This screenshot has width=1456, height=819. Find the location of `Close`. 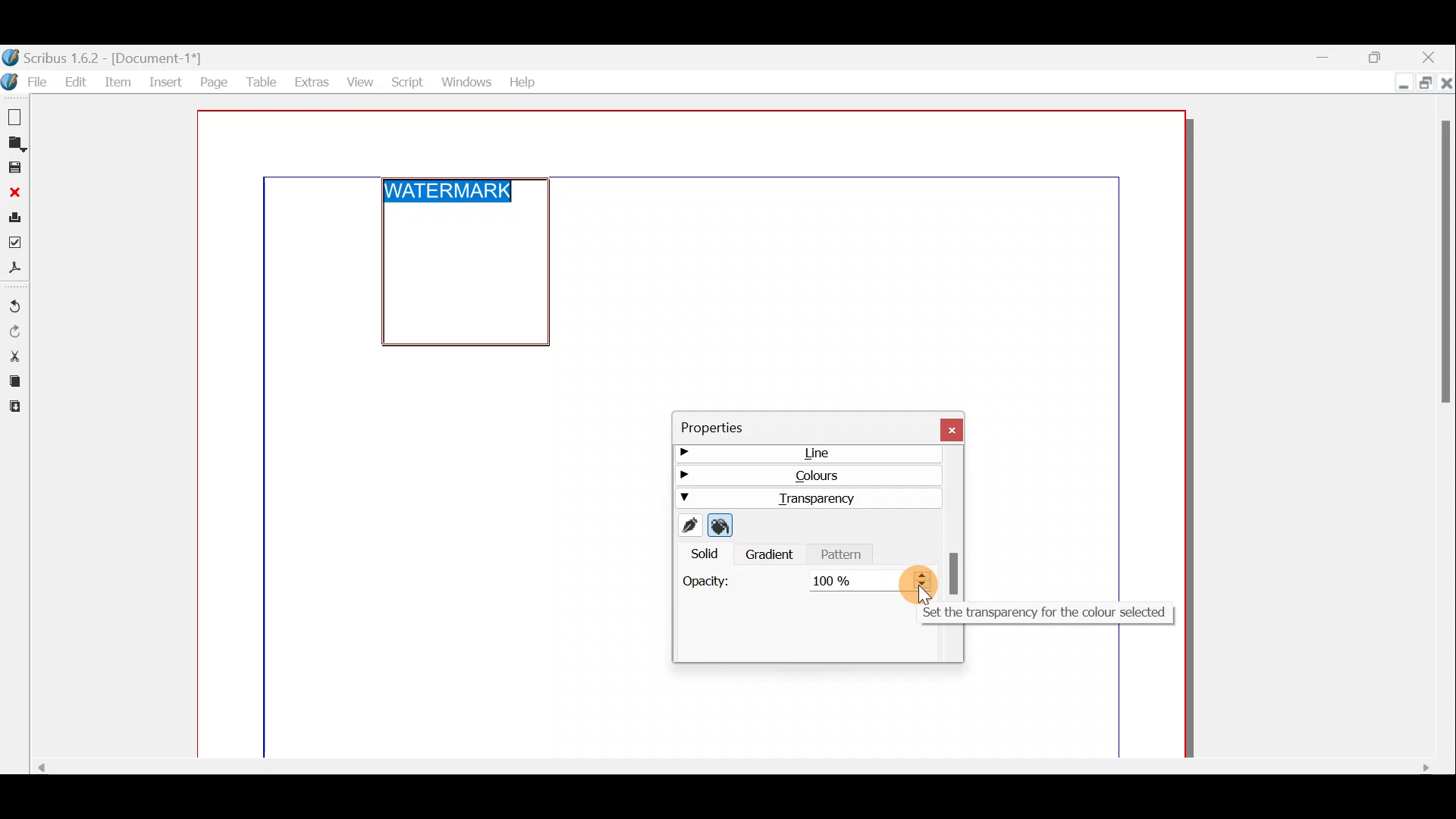

Close is located at coordinates (1446, 81).